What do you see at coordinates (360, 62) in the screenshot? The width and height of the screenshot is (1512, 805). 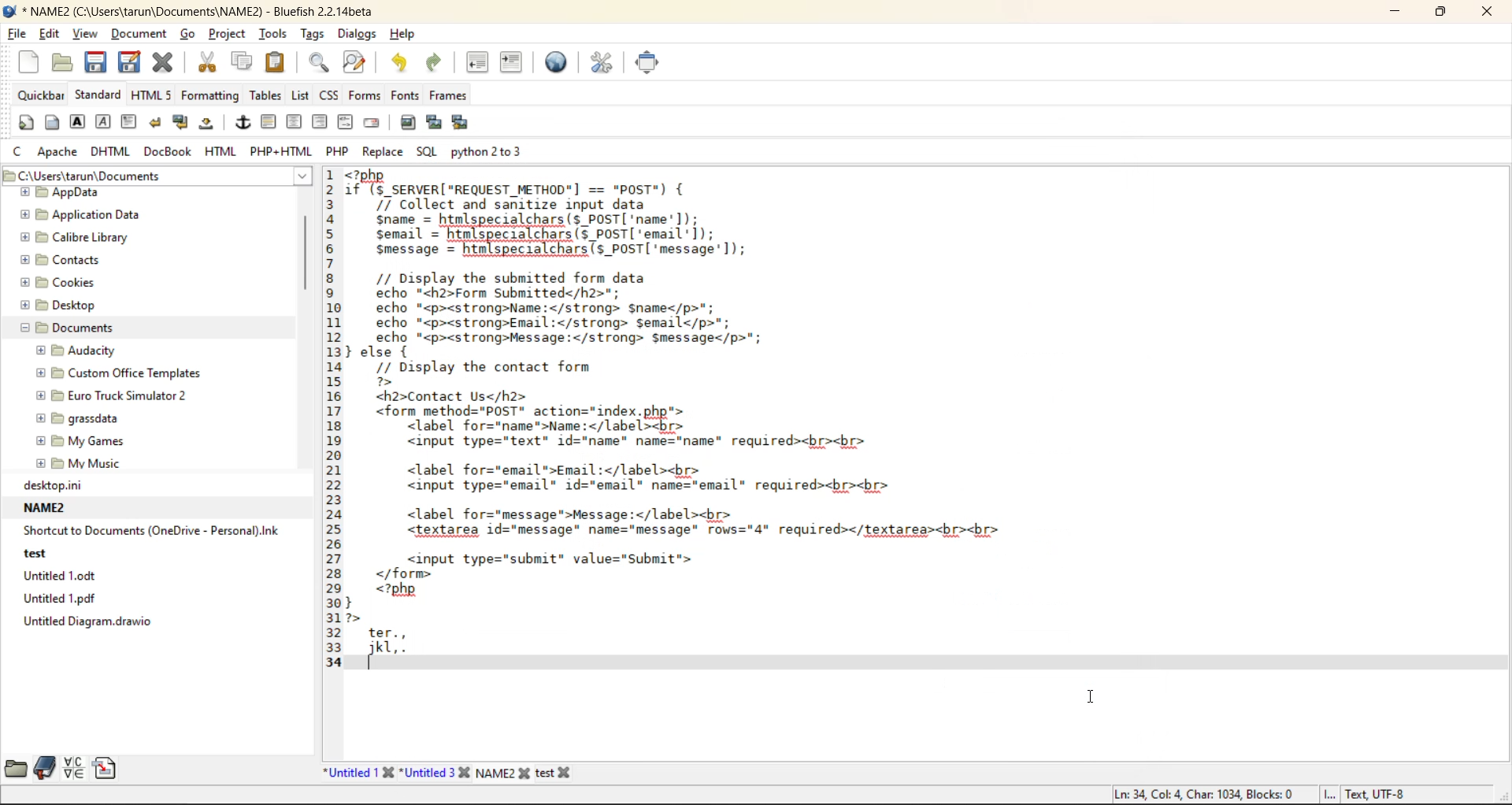 I see `find and replace` at bounding box center [360, 62].